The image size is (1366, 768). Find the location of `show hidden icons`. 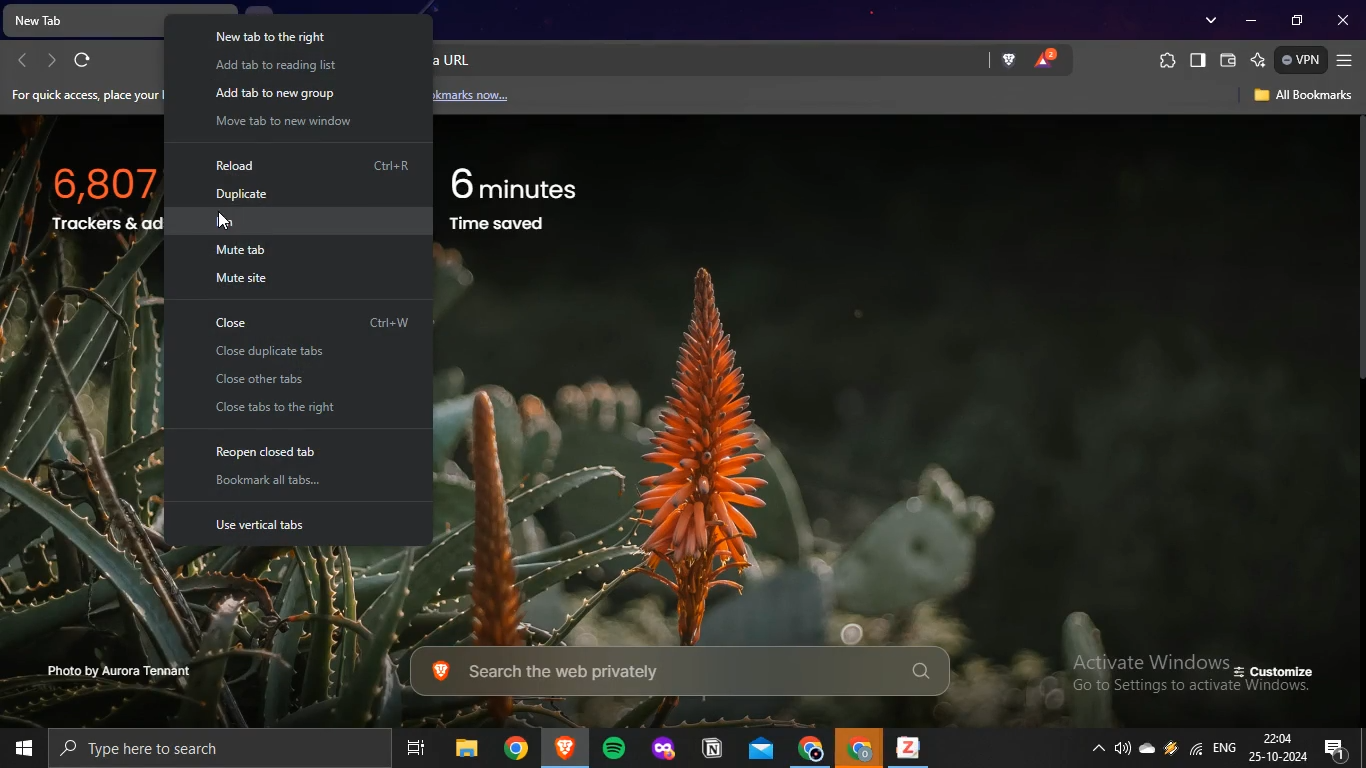

show hidden icons is located at coordinates (1098, 747).